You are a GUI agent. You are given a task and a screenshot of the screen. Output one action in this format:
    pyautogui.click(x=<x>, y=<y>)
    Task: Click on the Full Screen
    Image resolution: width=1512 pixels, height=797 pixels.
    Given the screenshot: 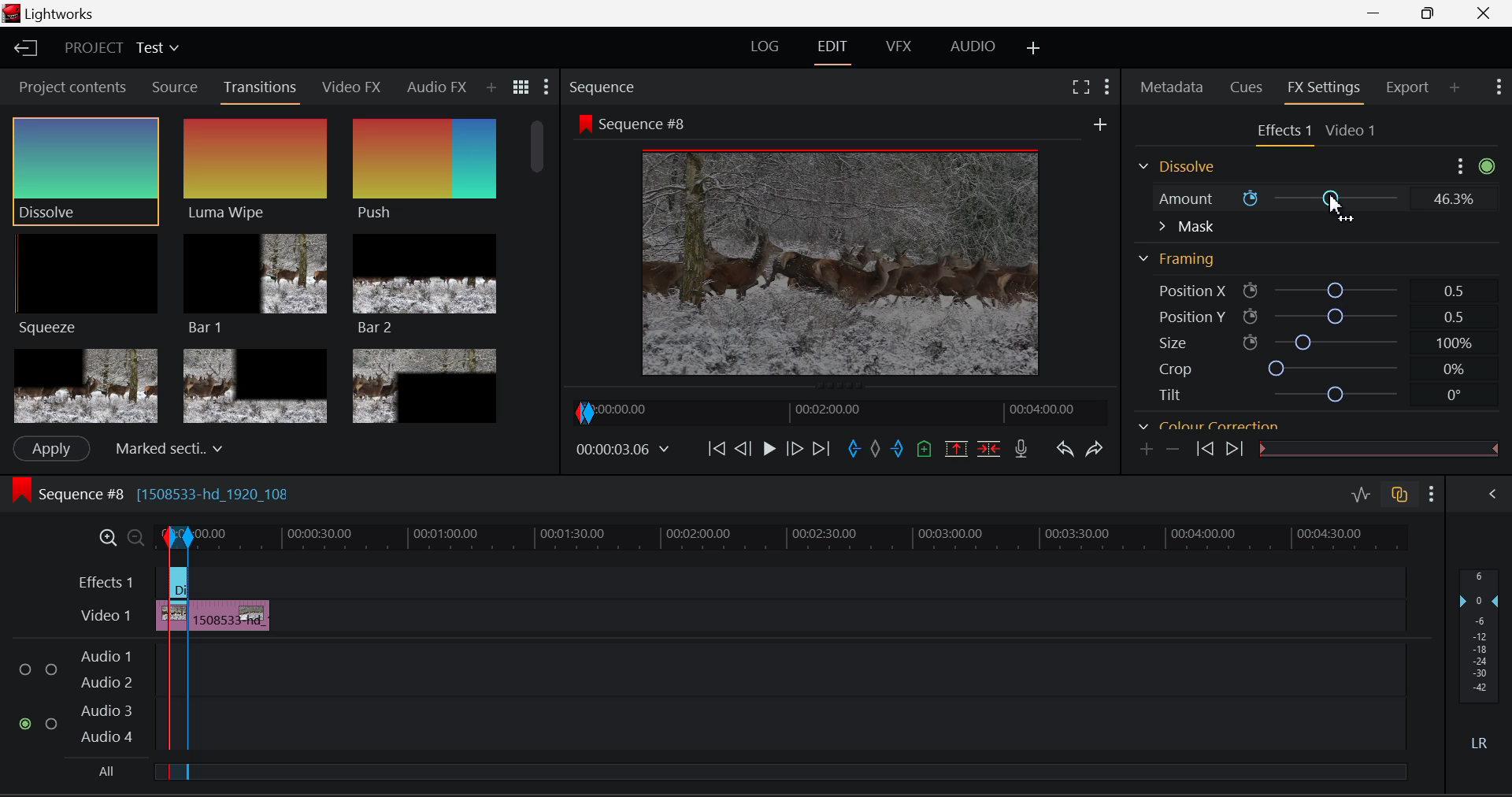 What is the action you would take?
    pyautogui.click(x=1083, y=87)
    